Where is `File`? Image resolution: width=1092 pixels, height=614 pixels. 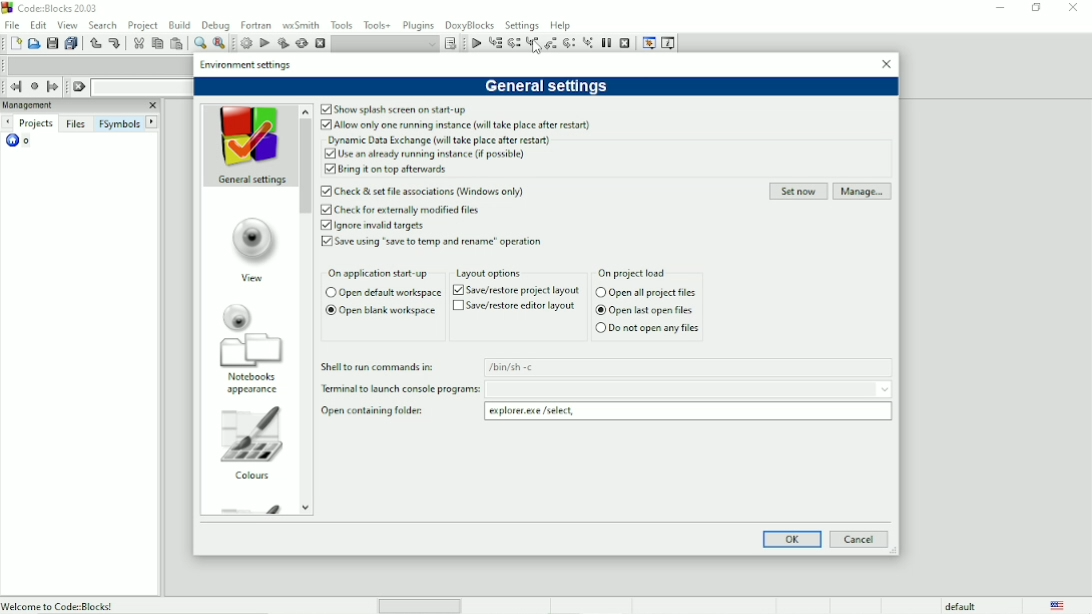 File is located at coordinates (12, 24).